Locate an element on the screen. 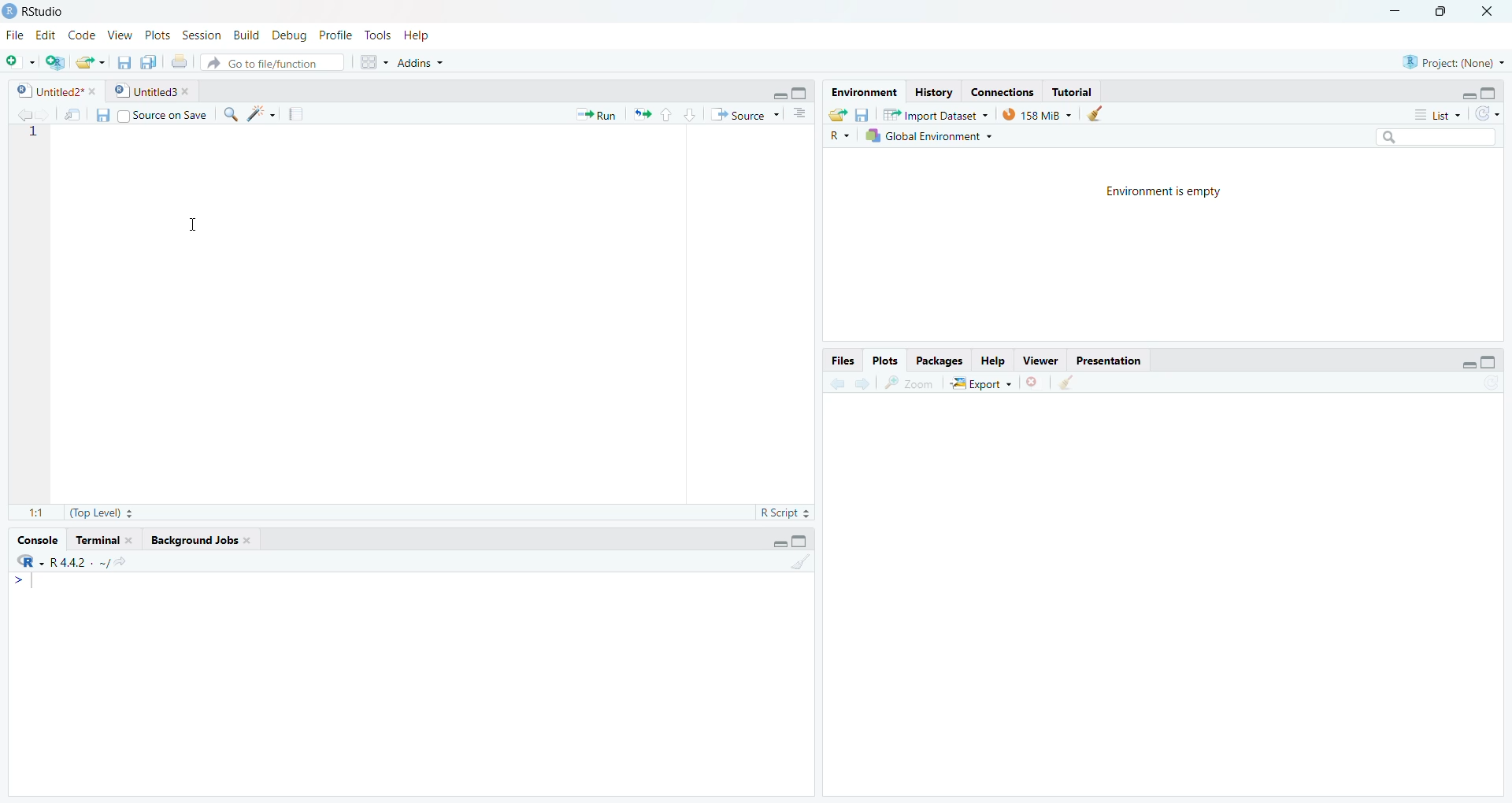 The image size is (1512, 803).  is located at coordinates (1477, 358).